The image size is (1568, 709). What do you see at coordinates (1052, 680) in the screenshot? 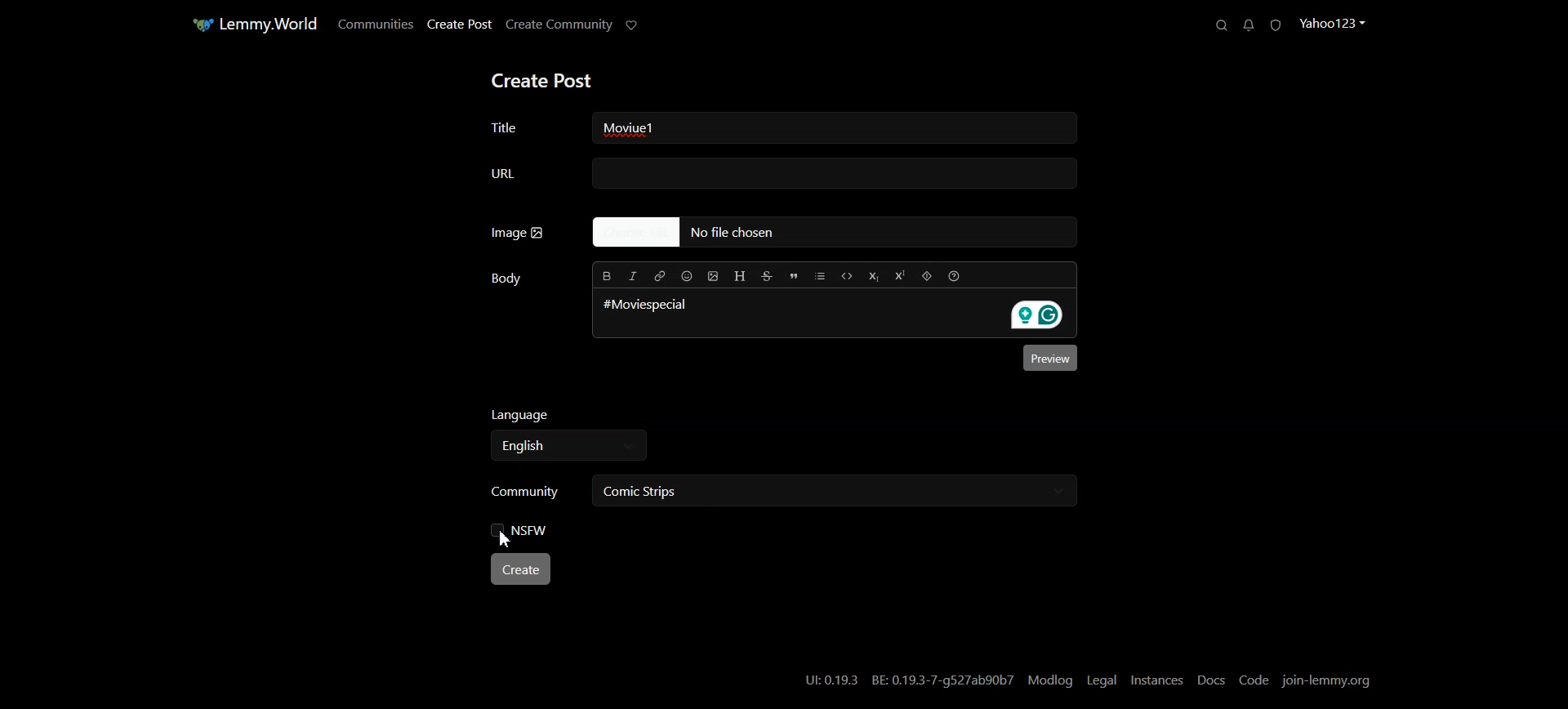
I see `Modlog` at bounding box center [1052, 680].